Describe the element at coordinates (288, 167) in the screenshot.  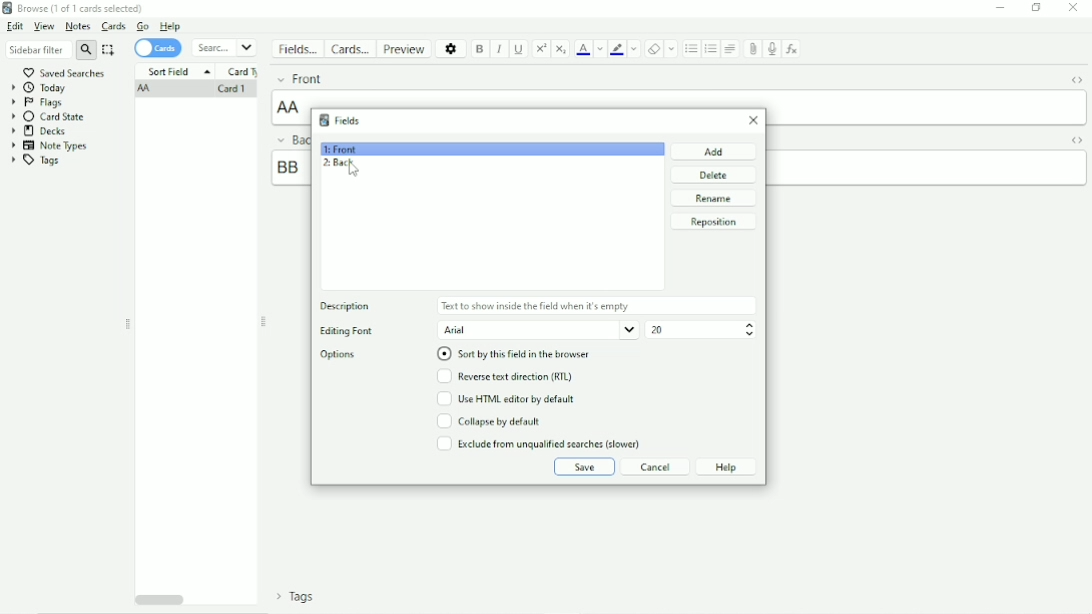
I see `BB` at that location.